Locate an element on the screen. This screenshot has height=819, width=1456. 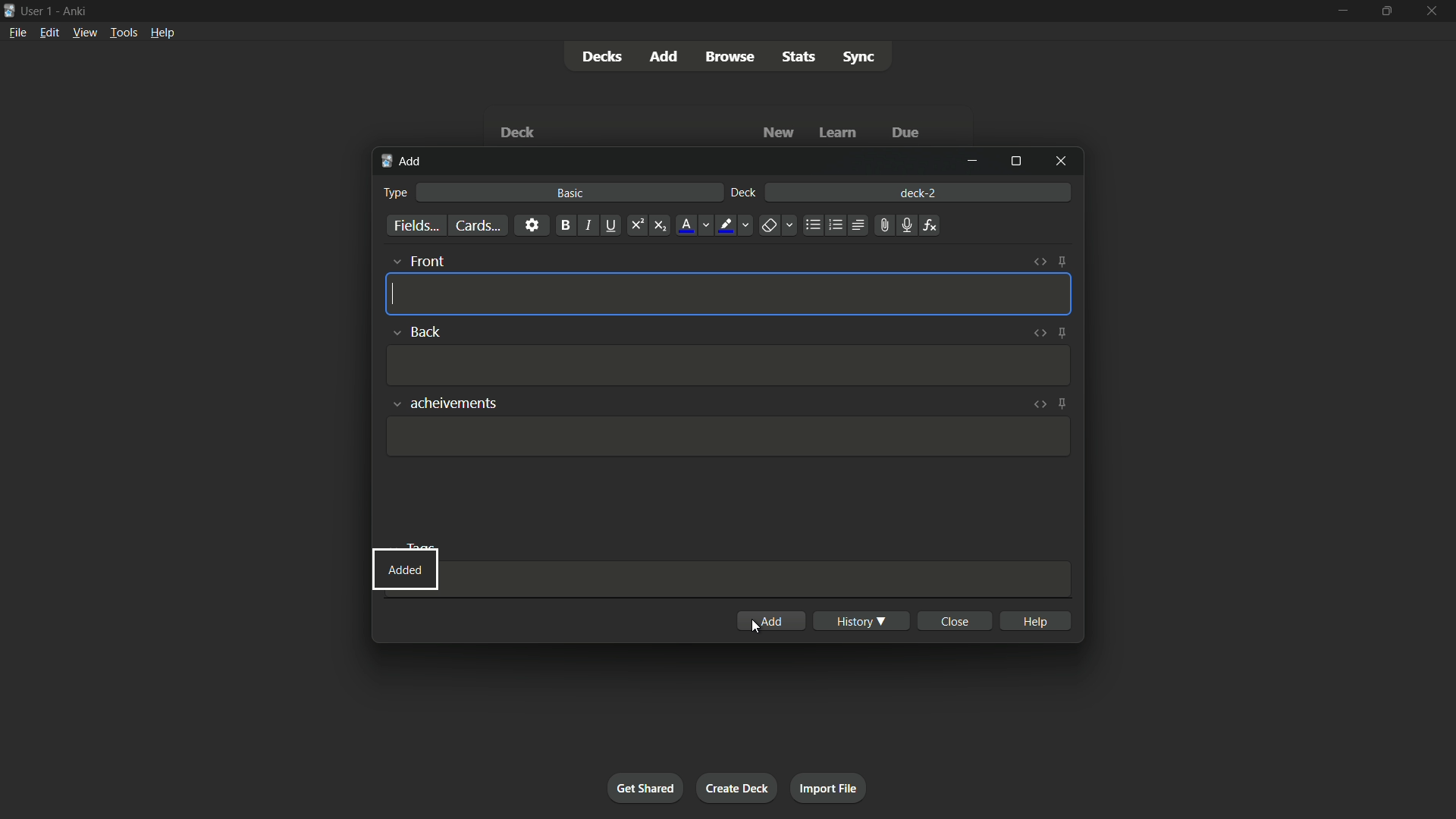
unordered list is located at coordinates (813, 226).